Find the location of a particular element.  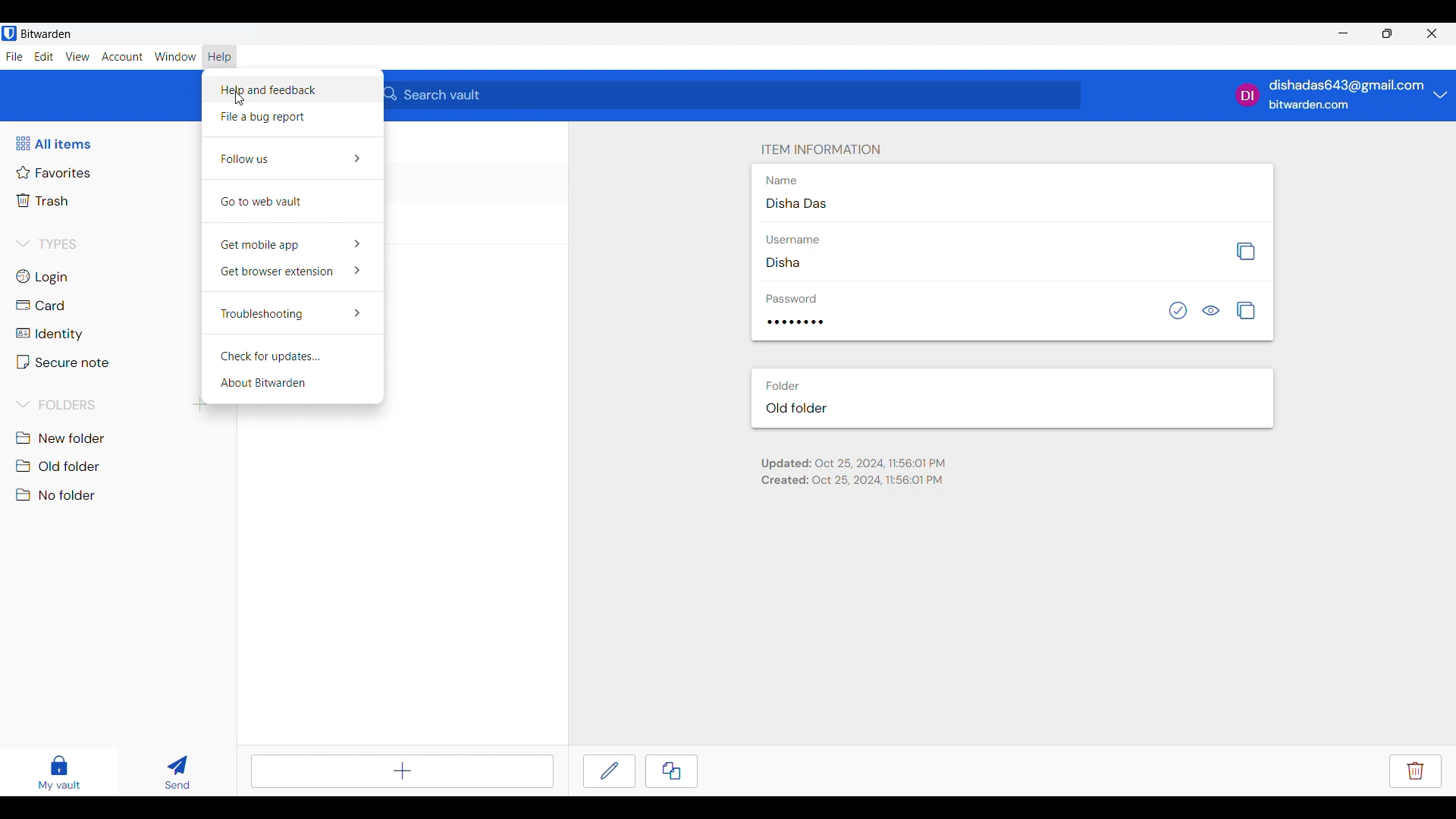

Delete is located at coordinates (1416, 771).